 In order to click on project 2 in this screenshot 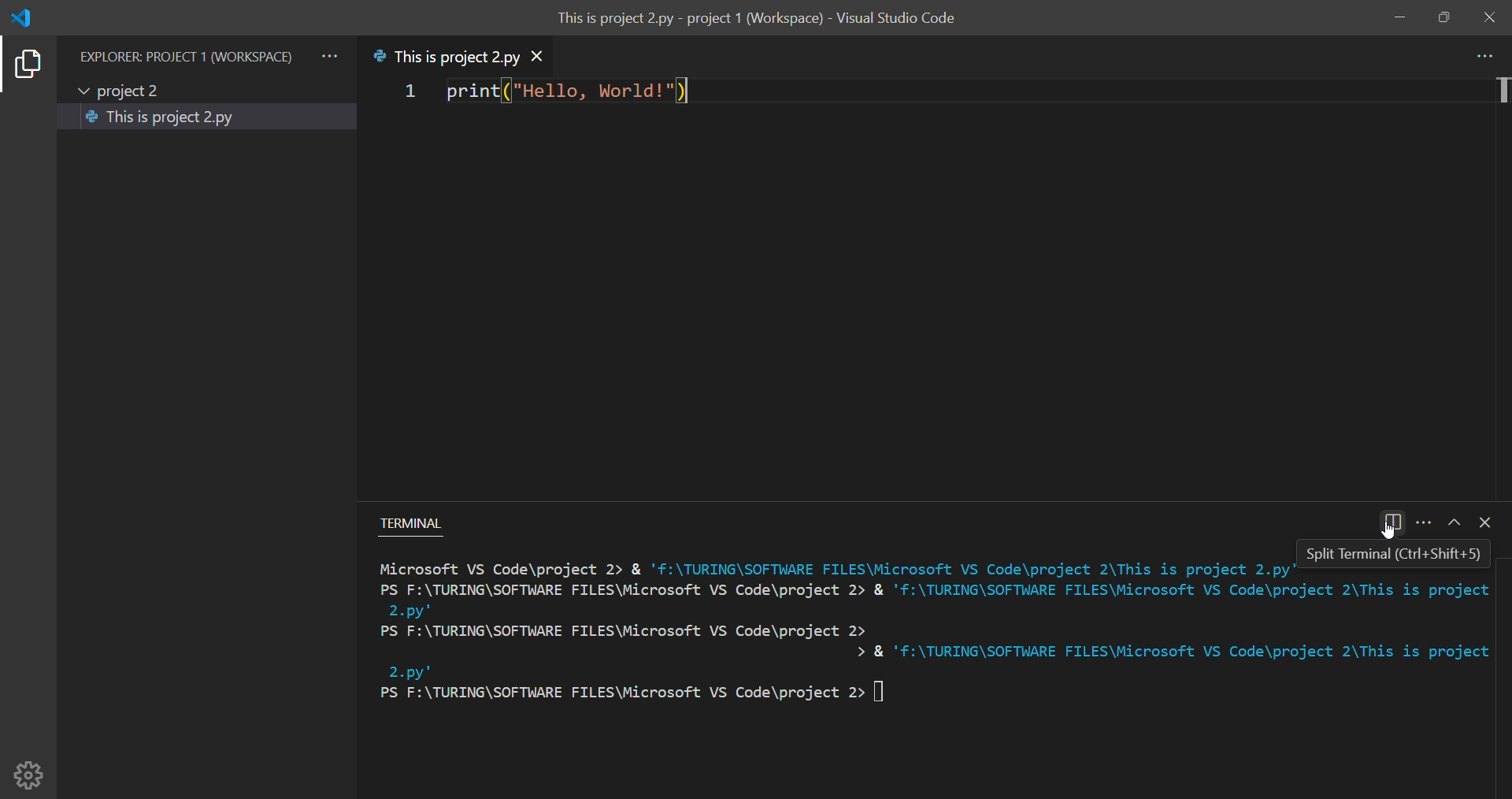, I will do `click(124, 88)`.